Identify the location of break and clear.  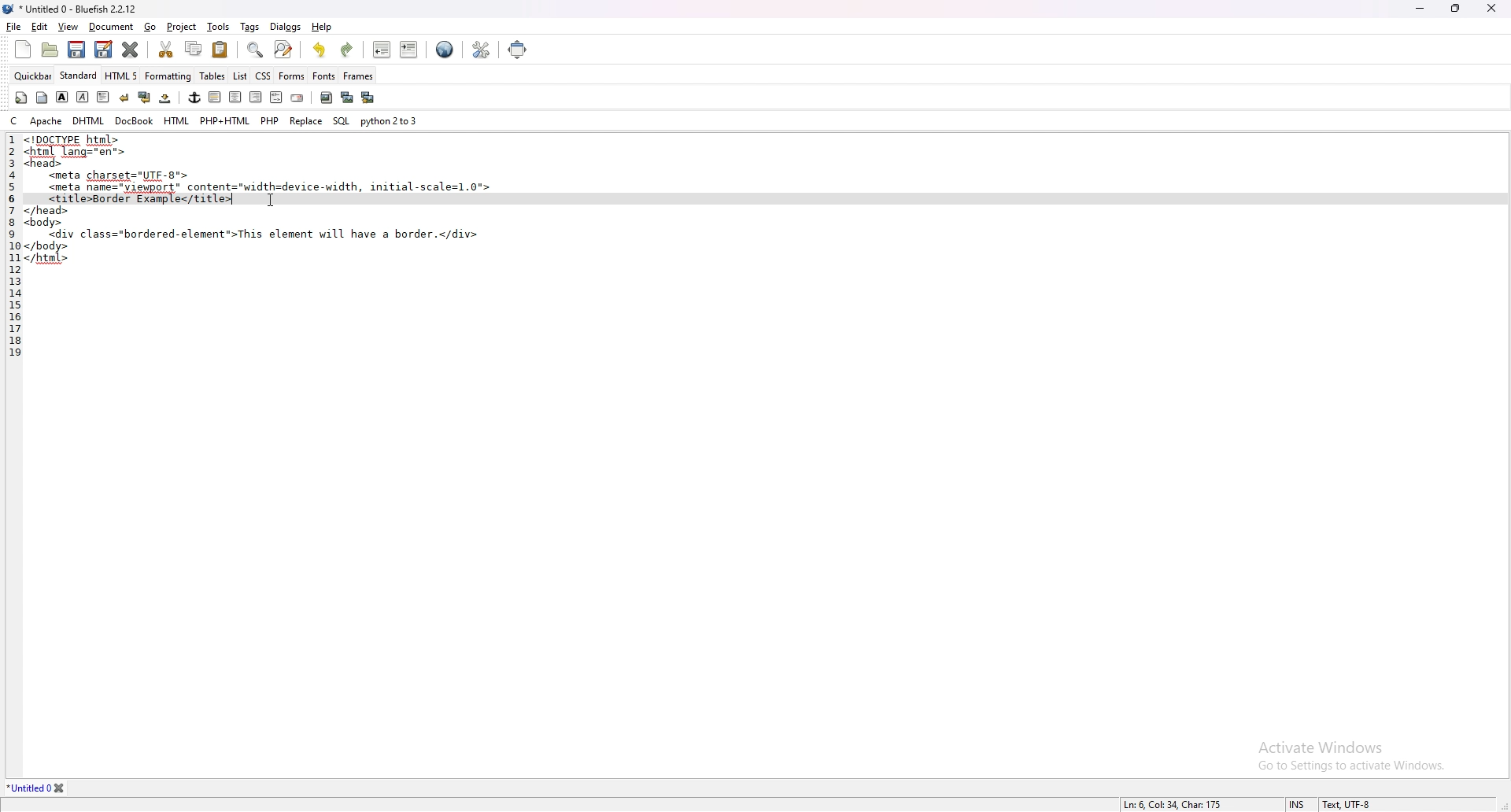
(145, 98).